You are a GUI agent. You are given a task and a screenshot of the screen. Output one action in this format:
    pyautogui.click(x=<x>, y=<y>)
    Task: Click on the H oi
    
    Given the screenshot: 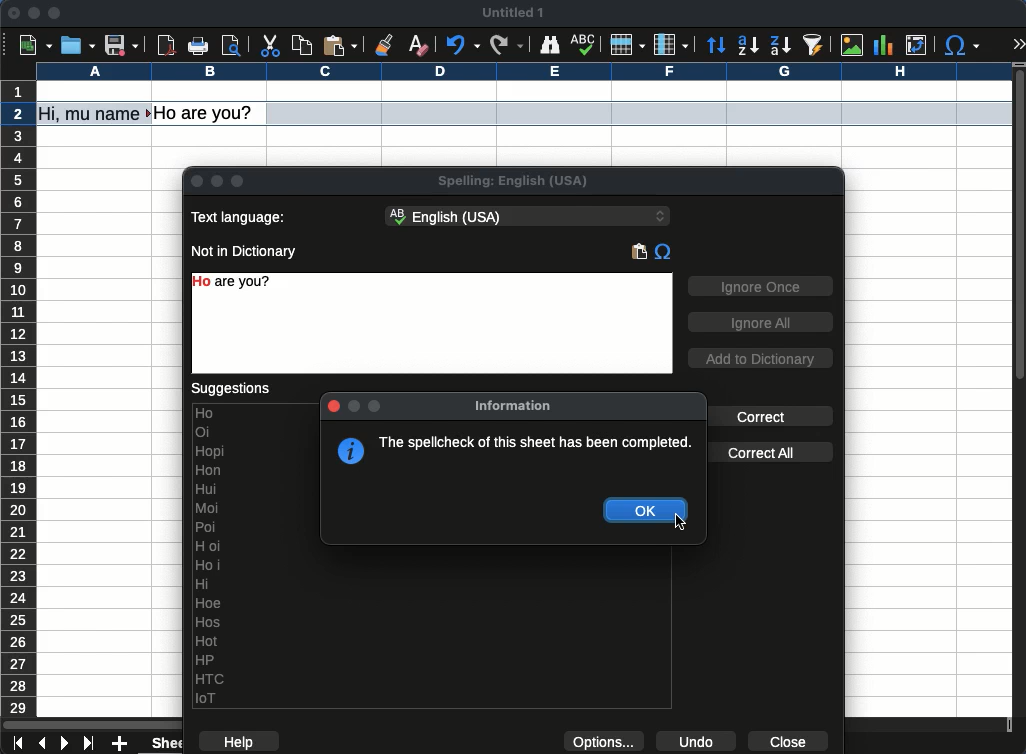 What is the action you would take?
    pyautogui.click(x=209, y=546)
    